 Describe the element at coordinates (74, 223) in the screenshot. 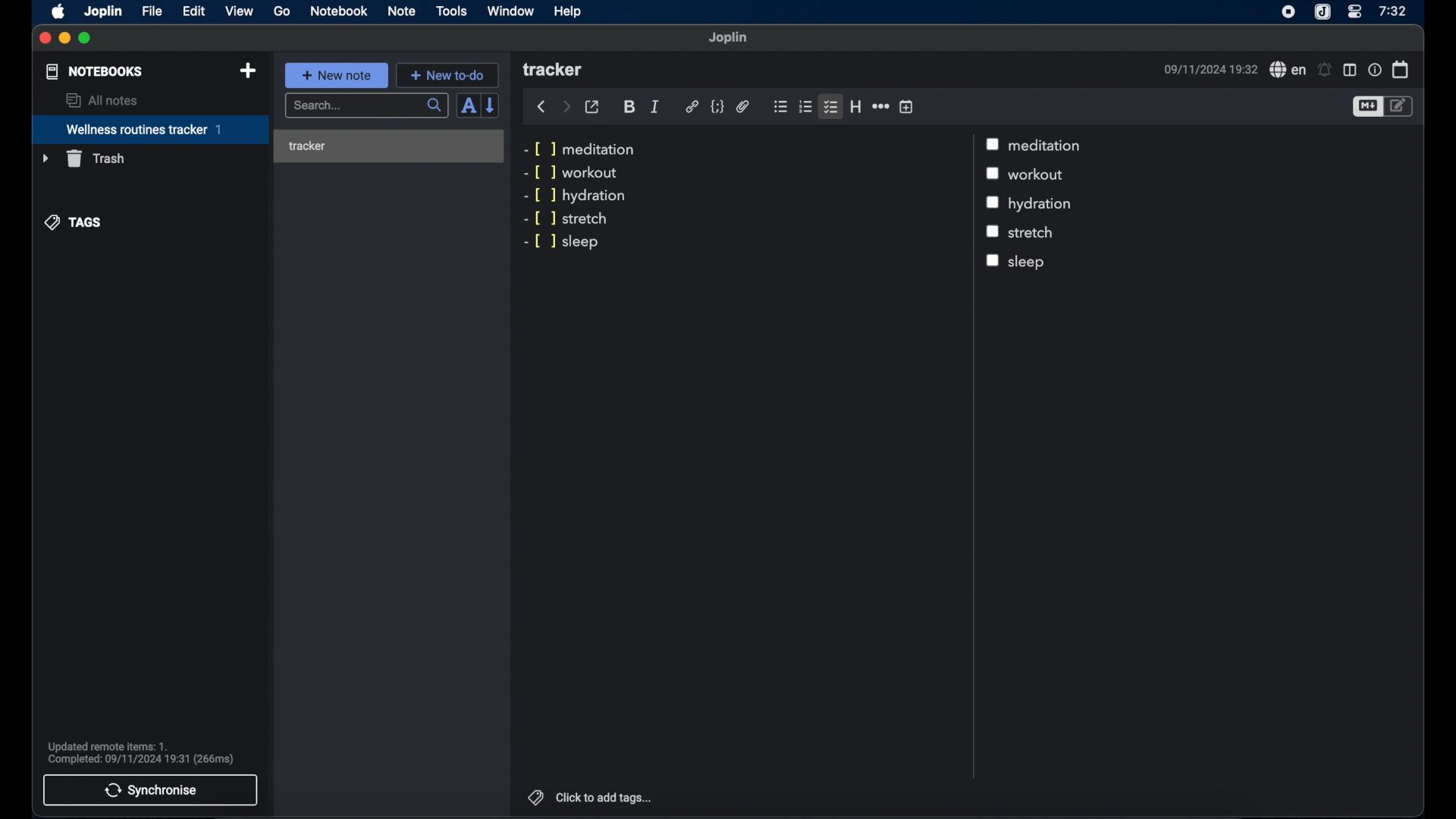

I see `tags` at that location.